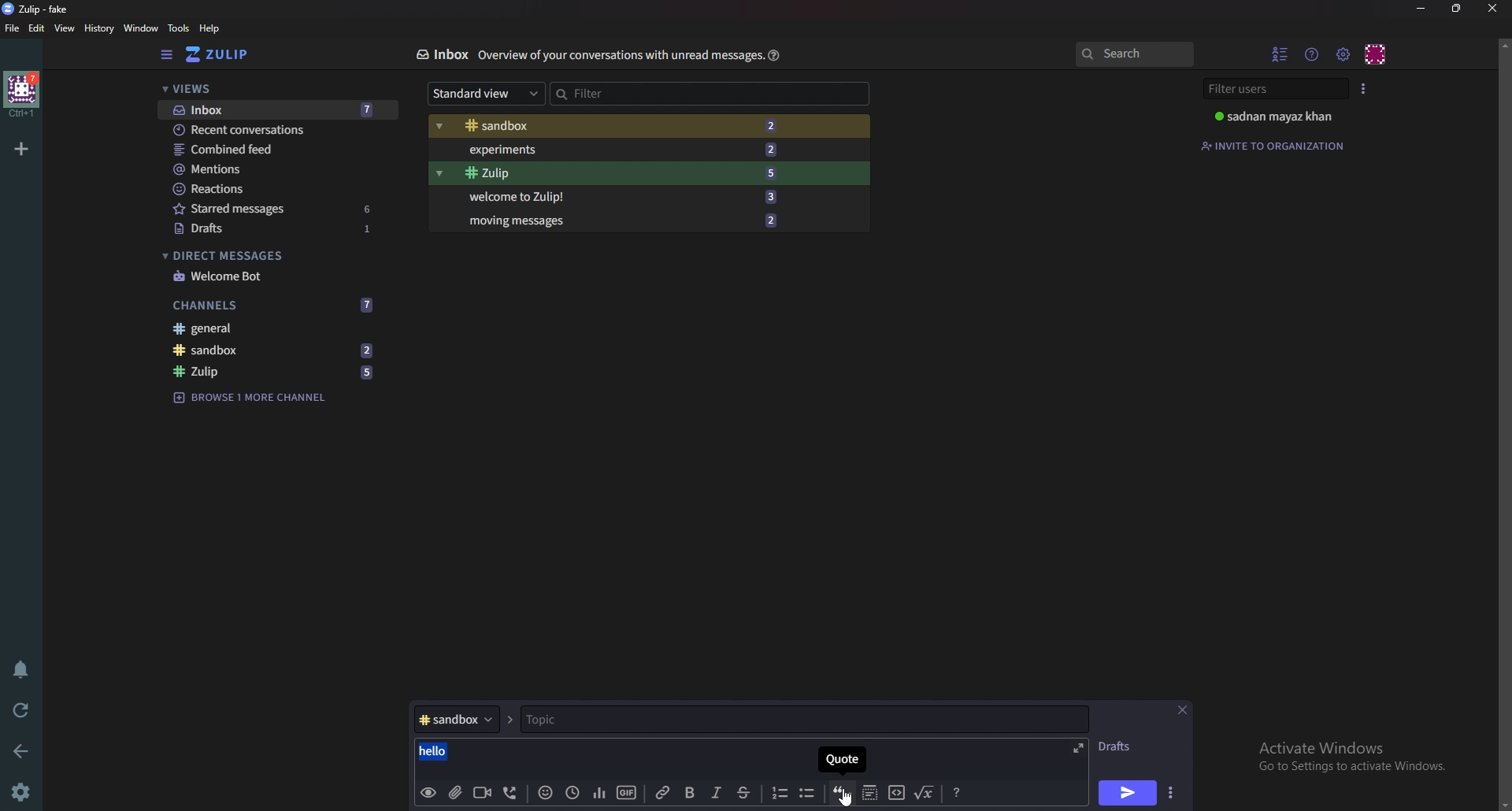  I want to click on close, so click(1184, 709).